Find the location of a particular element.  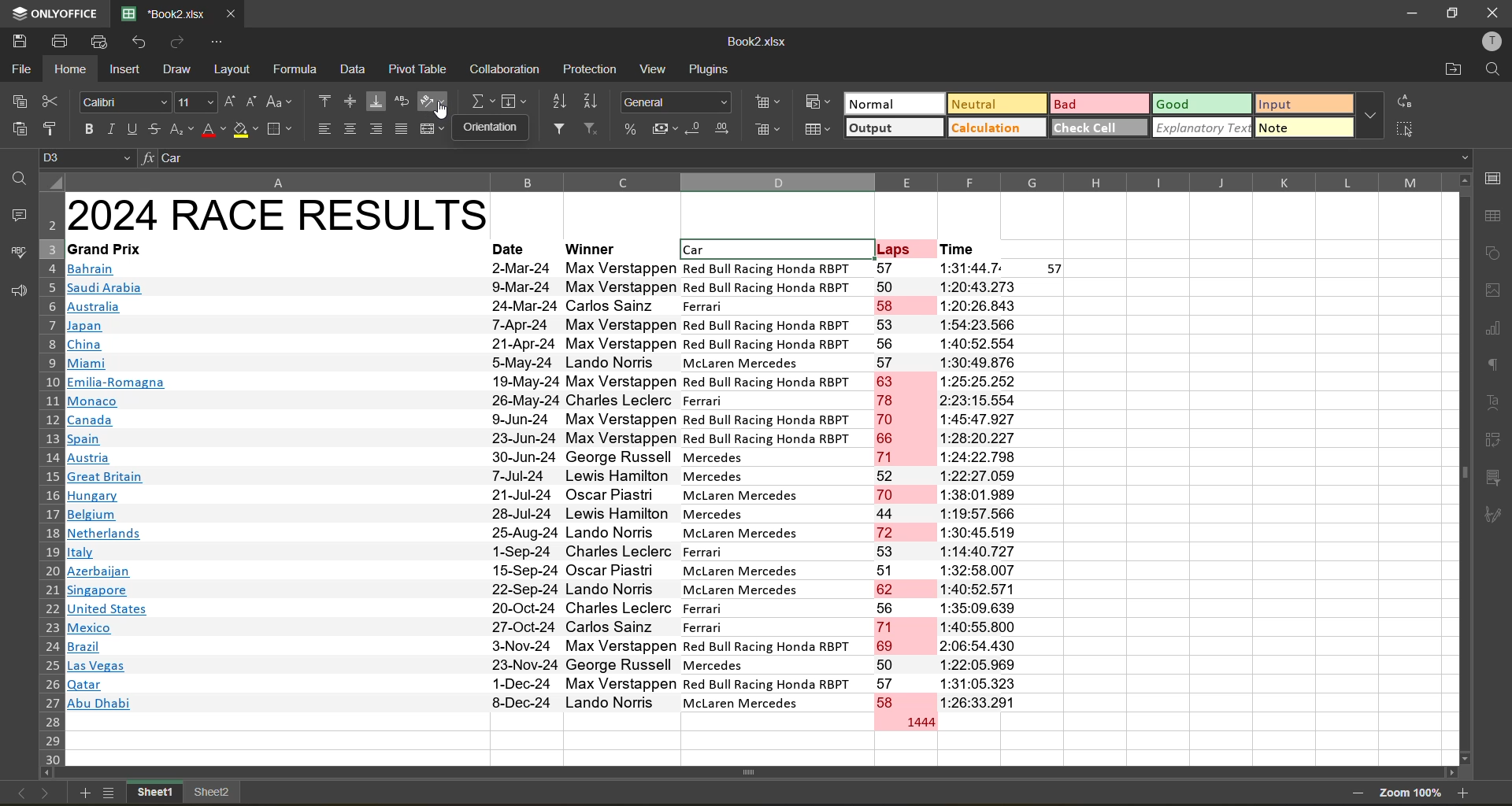

profile is located at coordinates (1492, 42).